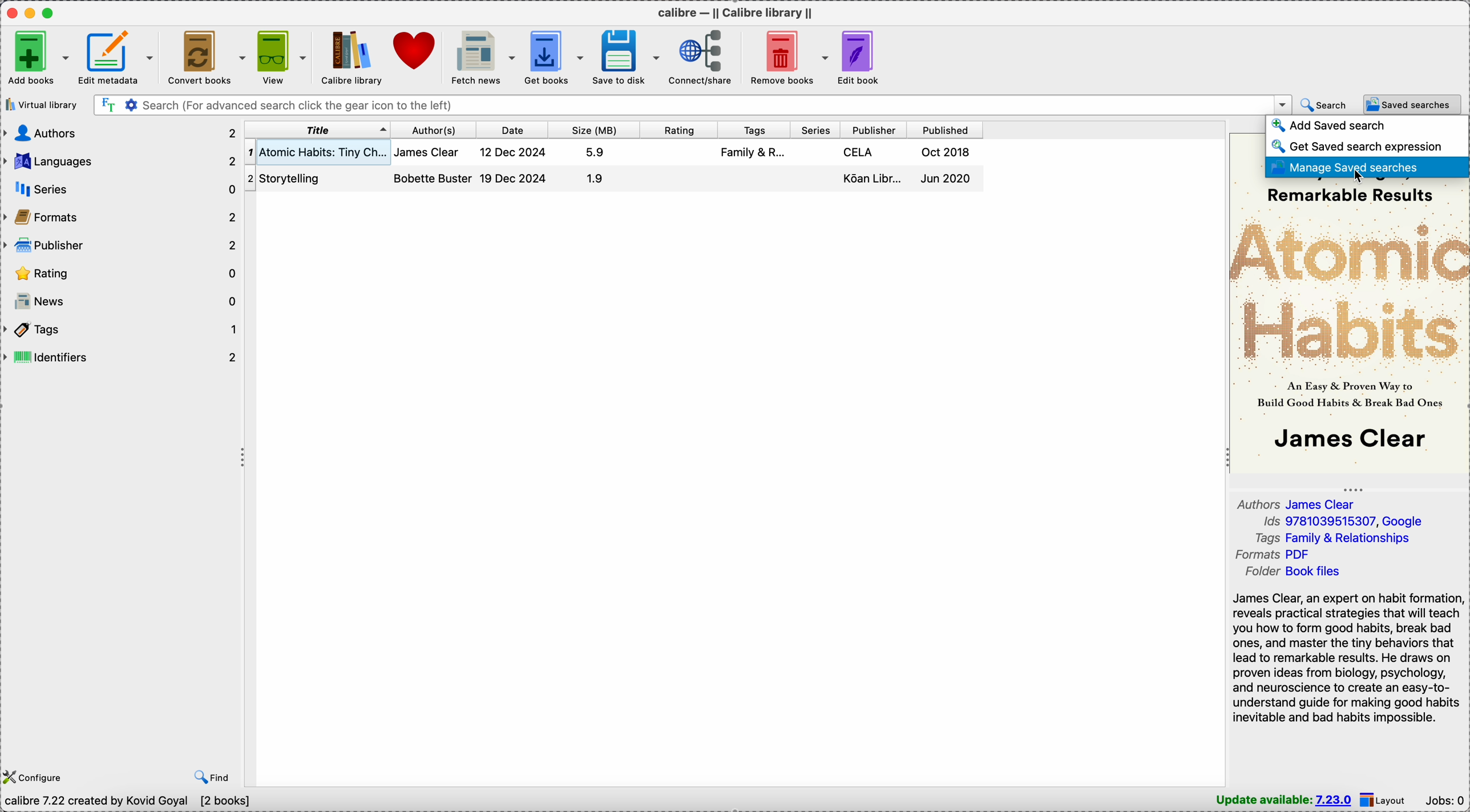 This screenshot has width=1470, height=812. I want to click on connect/share, so click(701, 56).